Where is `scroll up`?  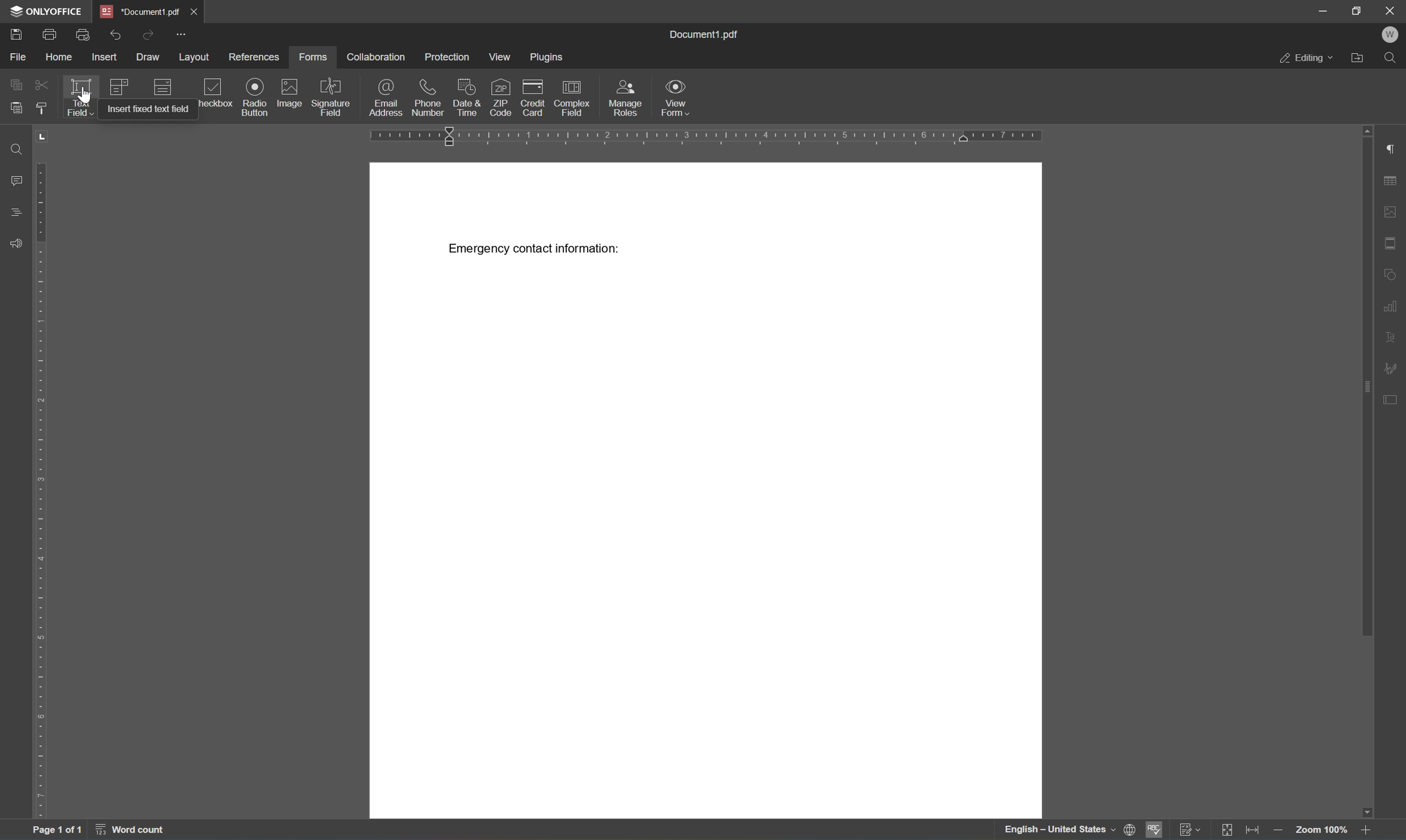 scroll up is located at coordinates (1367, 128).